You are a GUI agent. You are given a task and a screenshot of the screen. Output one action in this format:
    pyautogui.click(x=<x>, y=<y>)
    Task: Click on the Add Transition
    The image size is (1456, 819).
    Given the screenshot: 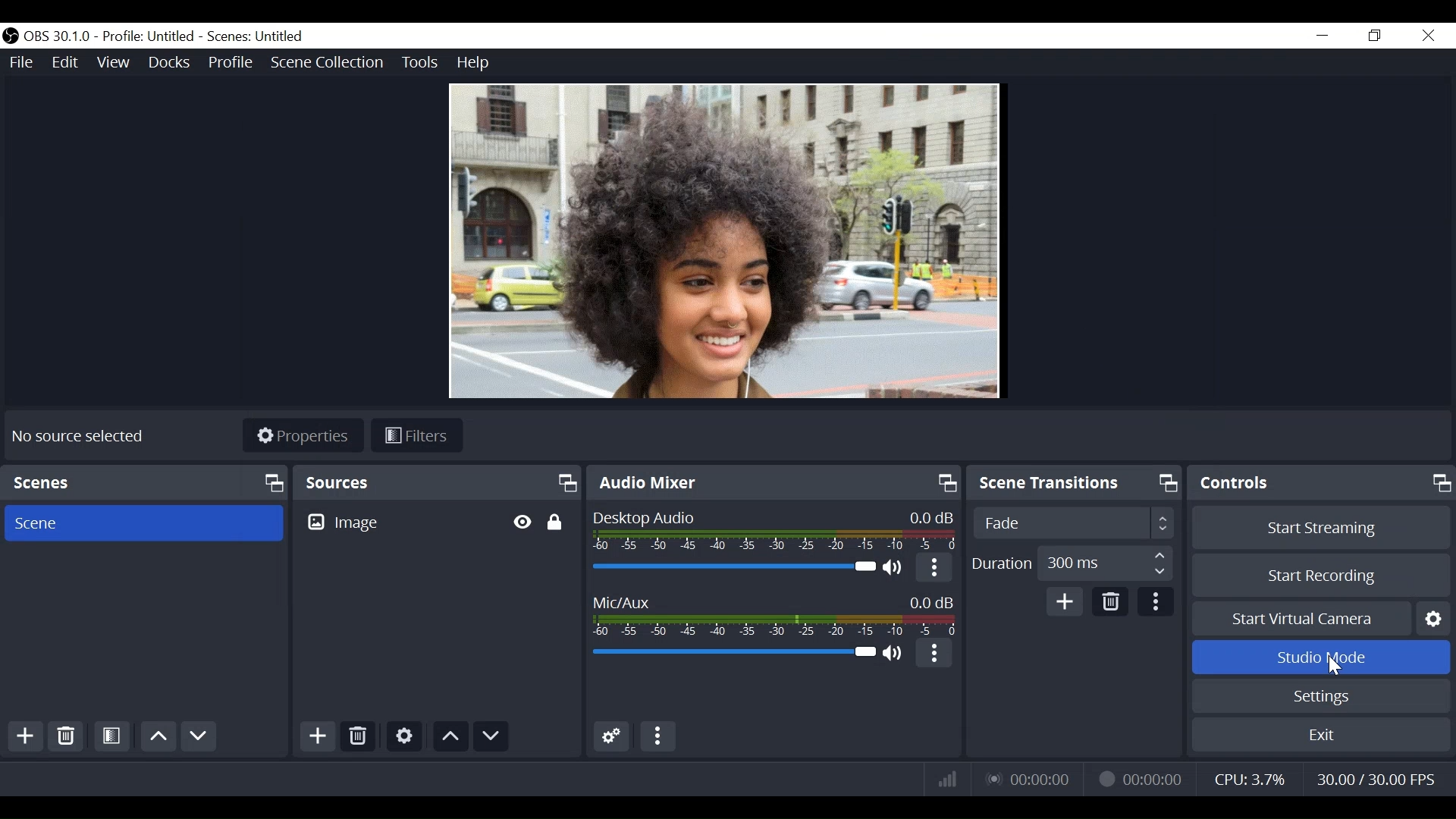 What is the action you would take?
    pyautogui.click(x=1066, y=603)
    